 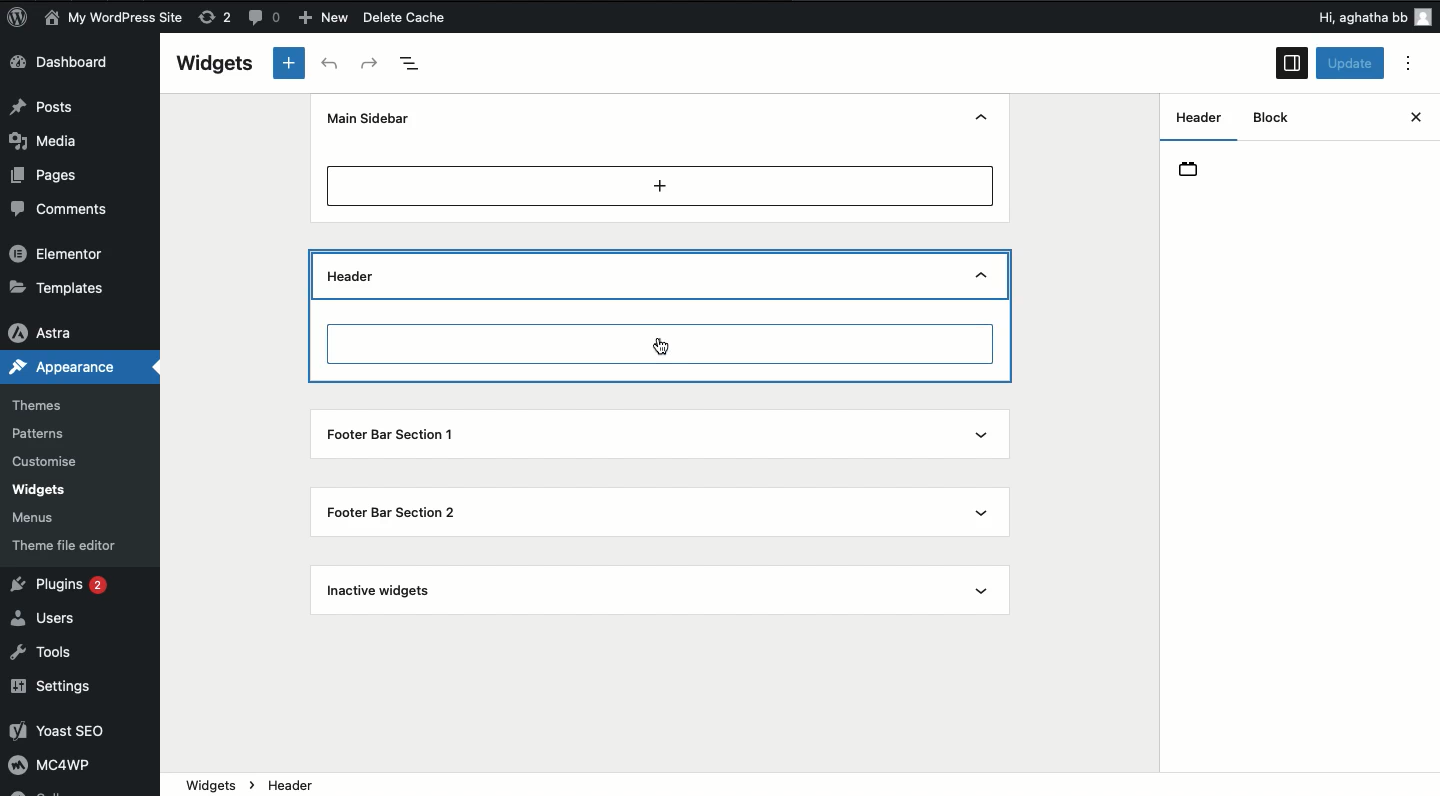 What do you see at coordinates (380, 594) in the screenshot?
I see `Inactive widgets` at bounding box center [380, 594].